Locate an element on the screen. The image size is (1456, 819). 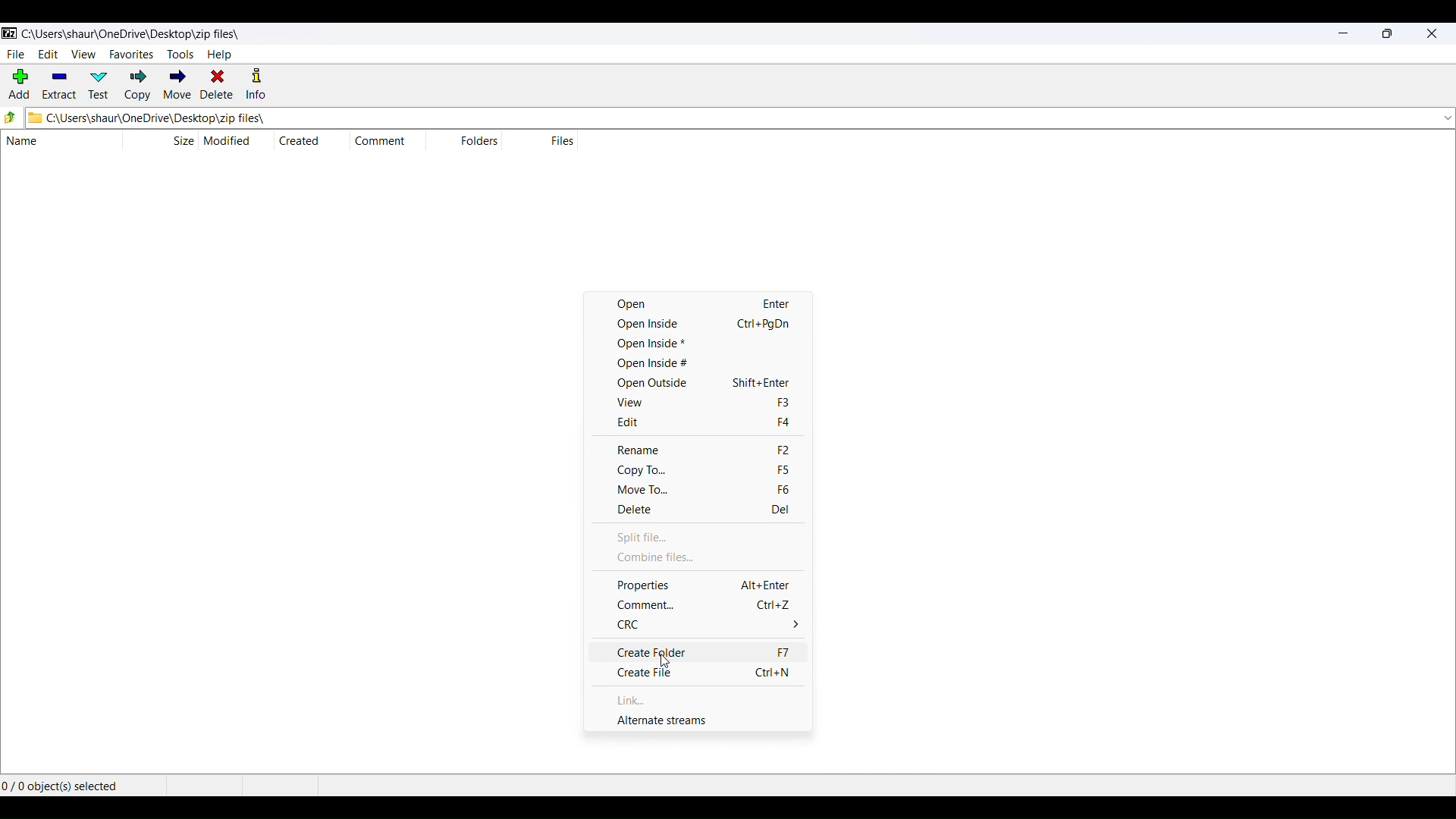
PROPERTIES is located at coordinates (714, 583).